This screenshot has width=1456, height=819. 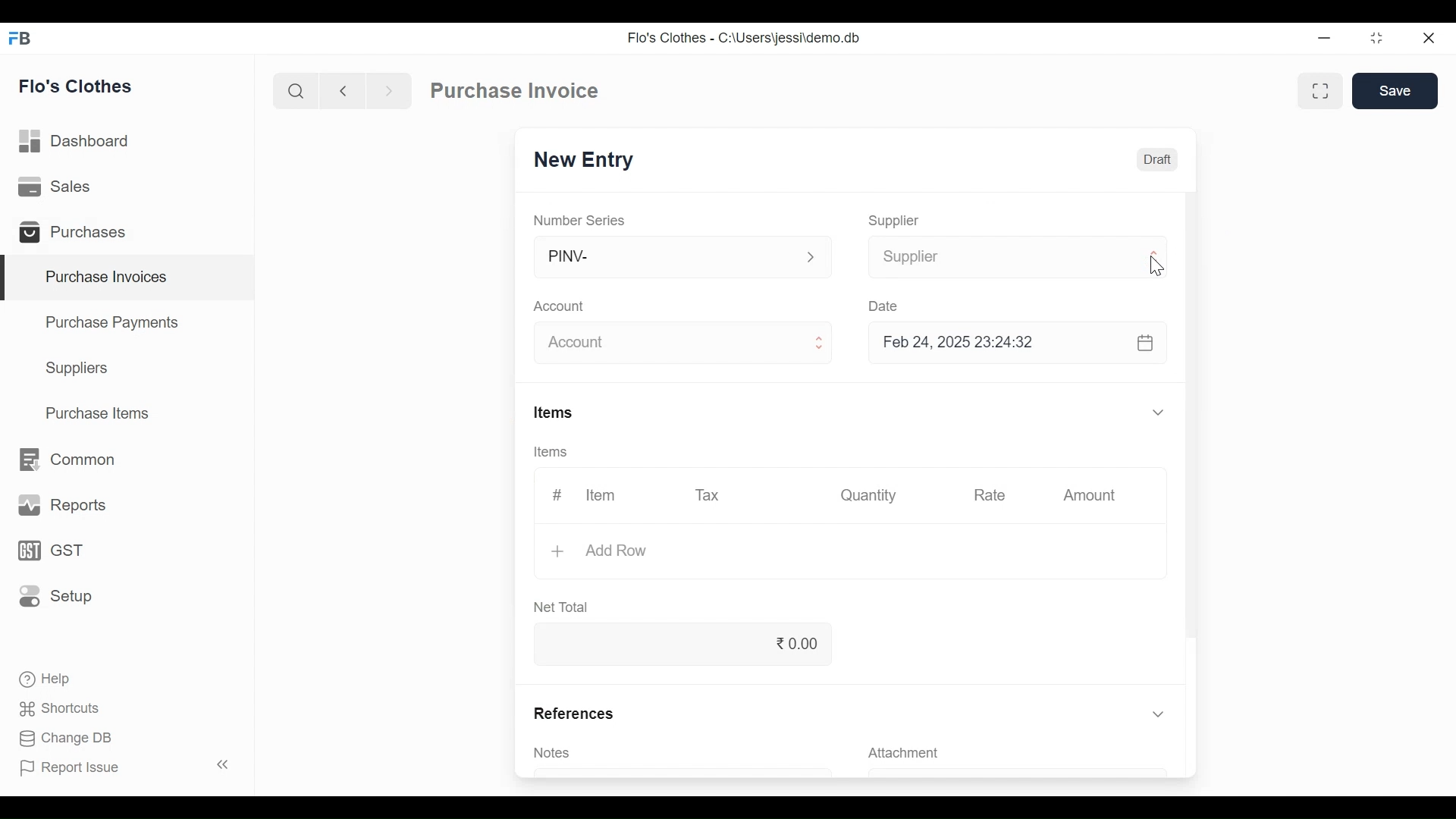 I want to click on Tax, so click(x=712, y=496).